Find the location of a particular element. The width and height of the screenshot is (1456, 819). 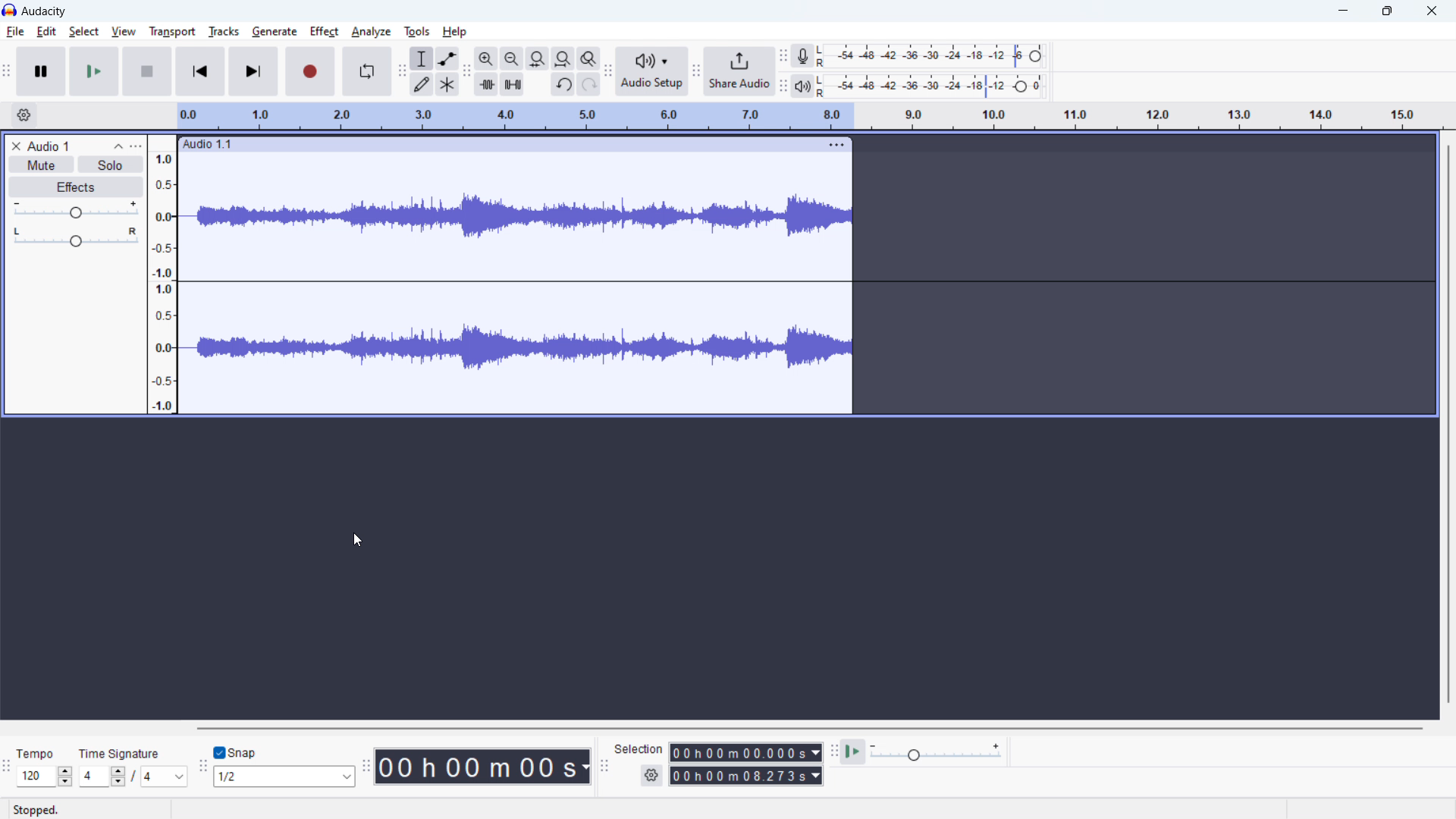

select is located at coordinates (83, 32).